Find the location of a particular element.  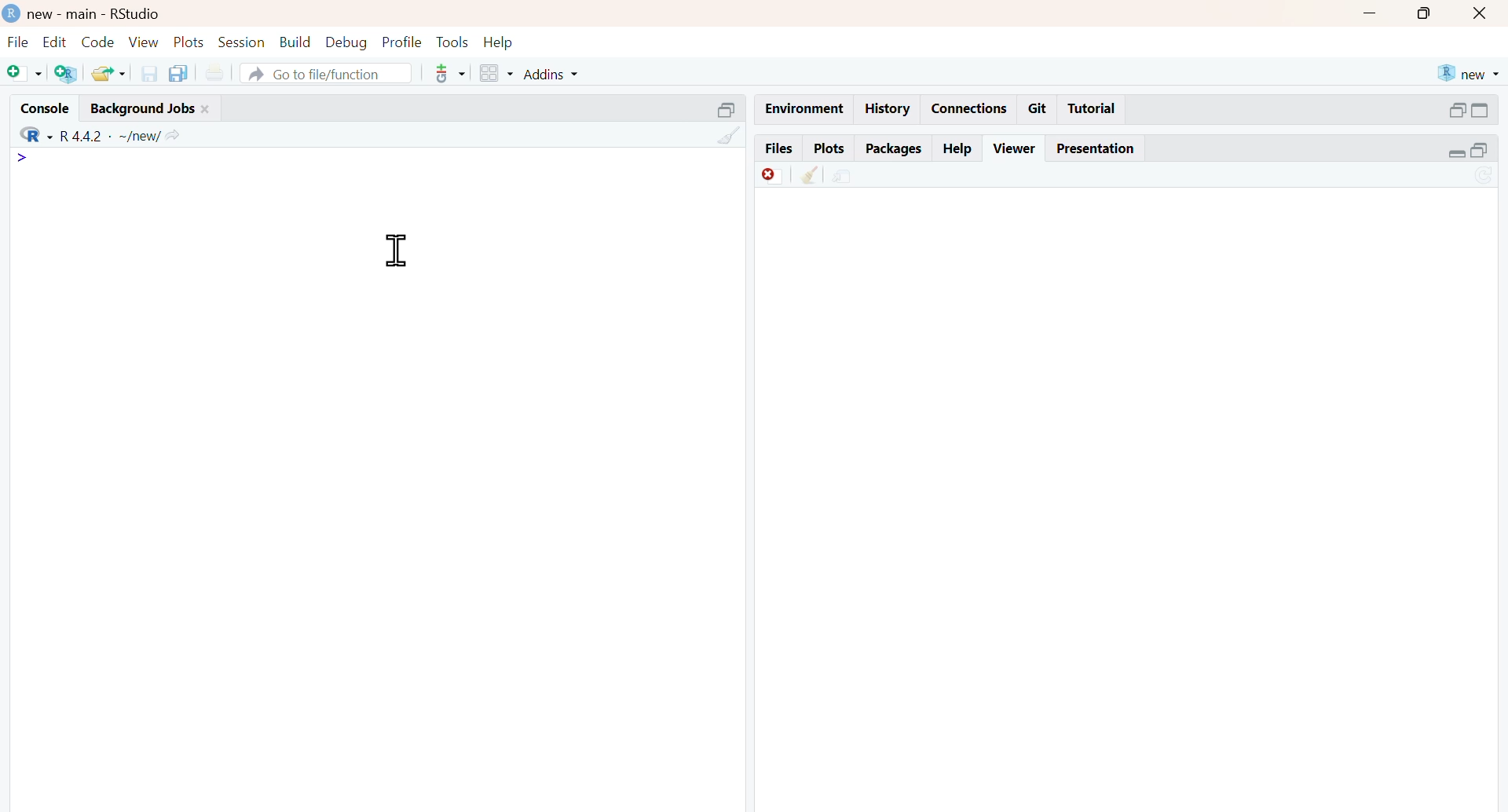

close is located at coordinates (207, 110).